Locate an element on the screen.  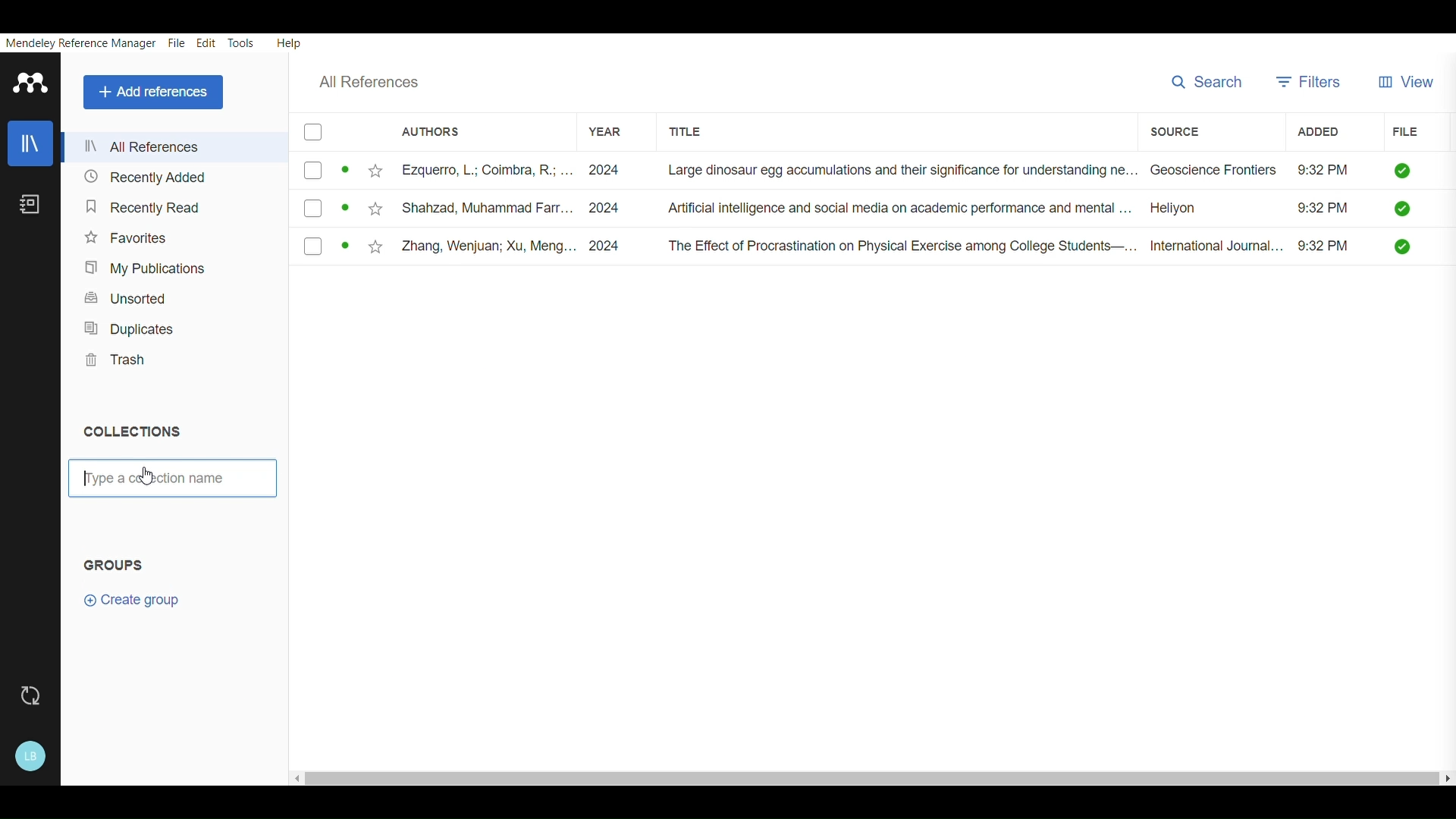
Filters is located at coordinates (1310, 78).